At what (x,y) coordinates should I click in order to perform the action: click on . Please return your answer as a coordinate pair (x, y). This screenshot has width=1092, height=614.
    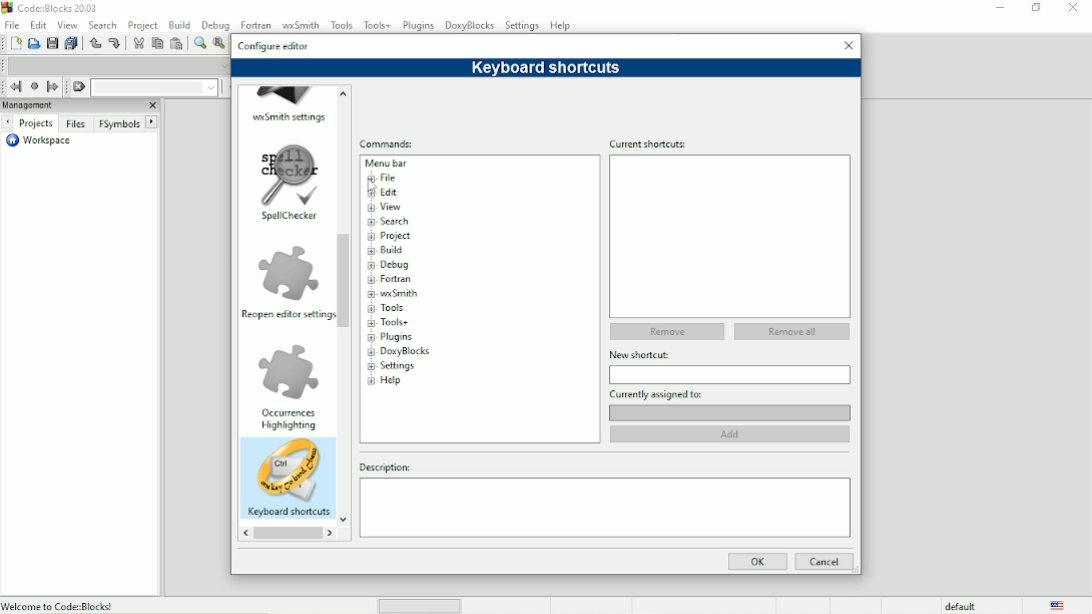
    Looking at the image, I should click on (728, 237).